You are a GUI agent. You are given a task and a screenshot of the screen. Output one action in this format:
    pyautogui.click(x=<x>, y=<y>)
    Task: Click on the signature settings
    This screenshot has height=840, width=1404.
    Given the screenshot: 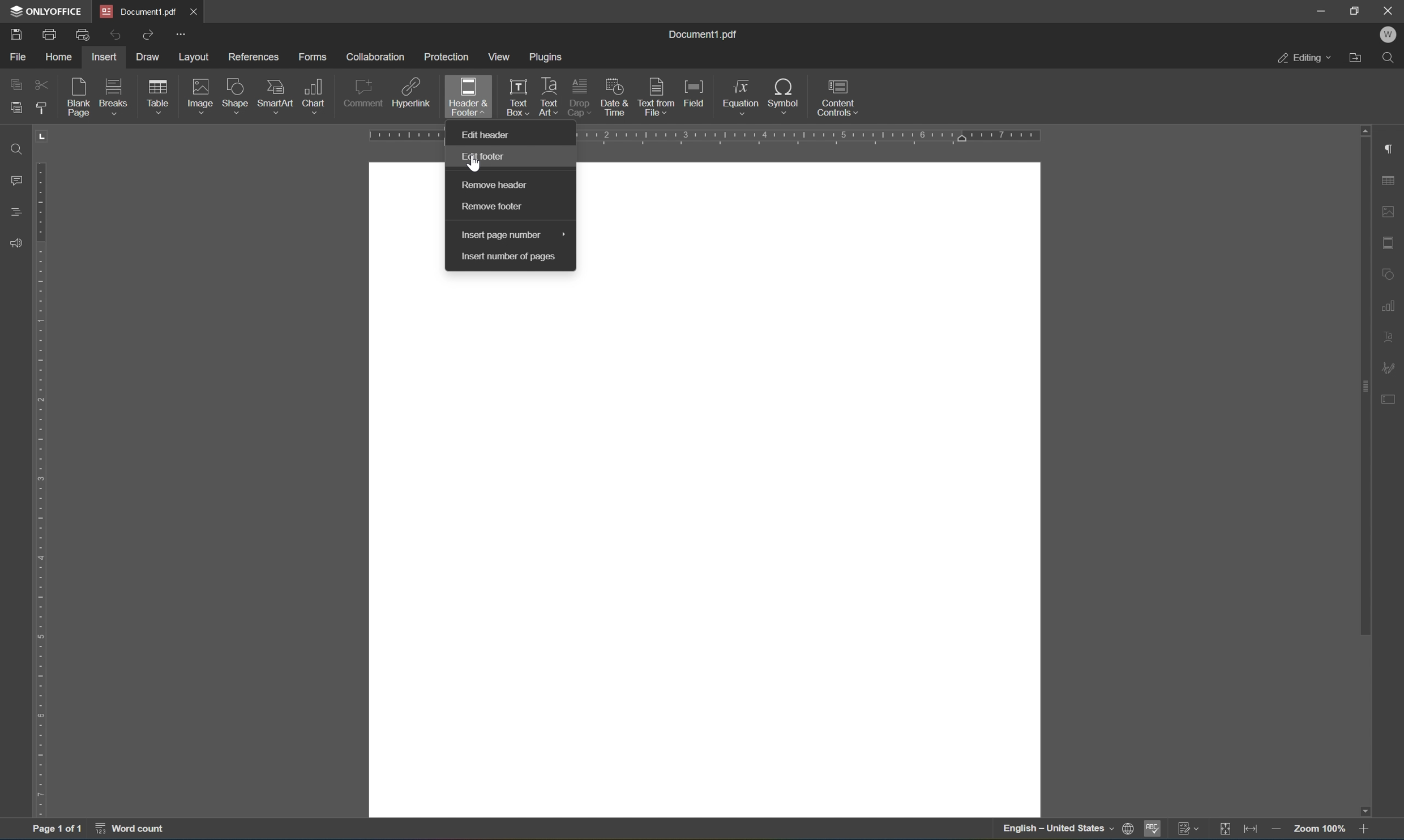 What is the action you would take?
    pyautogui.click(x=1391, y=367)
    